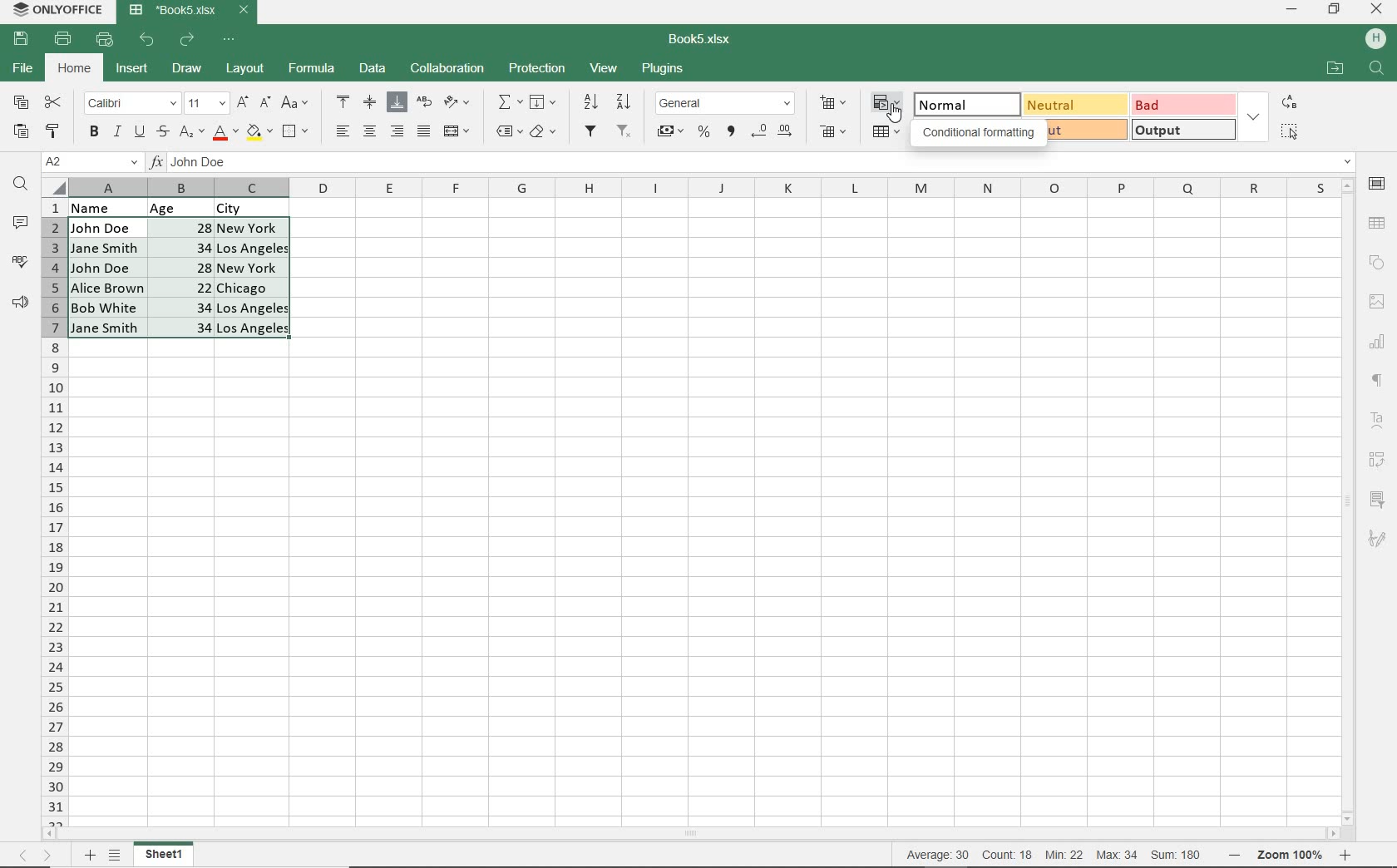 The height and width of the screenshot is (868, 1397). I want to click on COPY STYLE, so click(53, 129).